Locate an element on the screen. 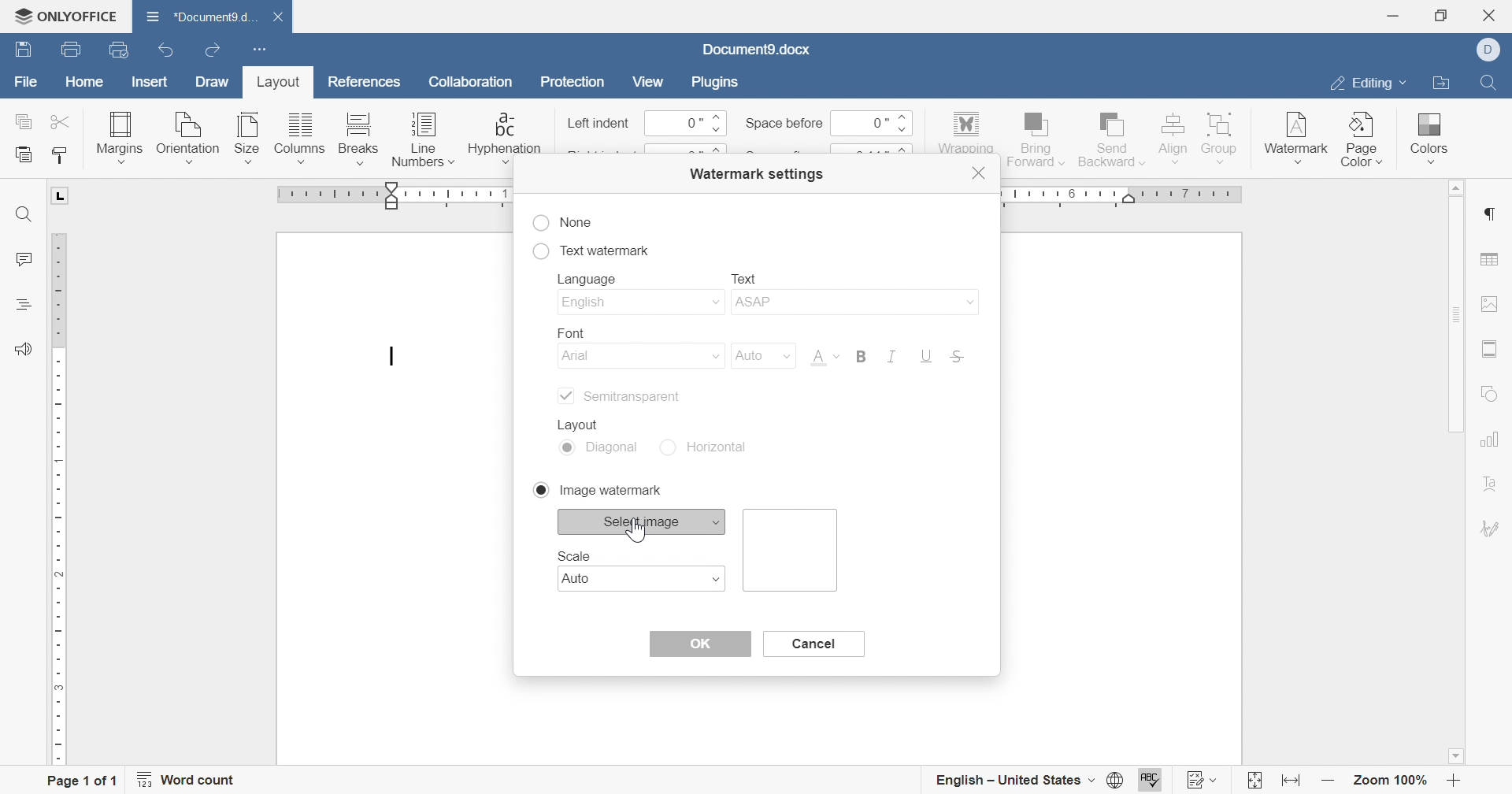 The image size is (1512, 794). italic is located at coordinates (888, 356).